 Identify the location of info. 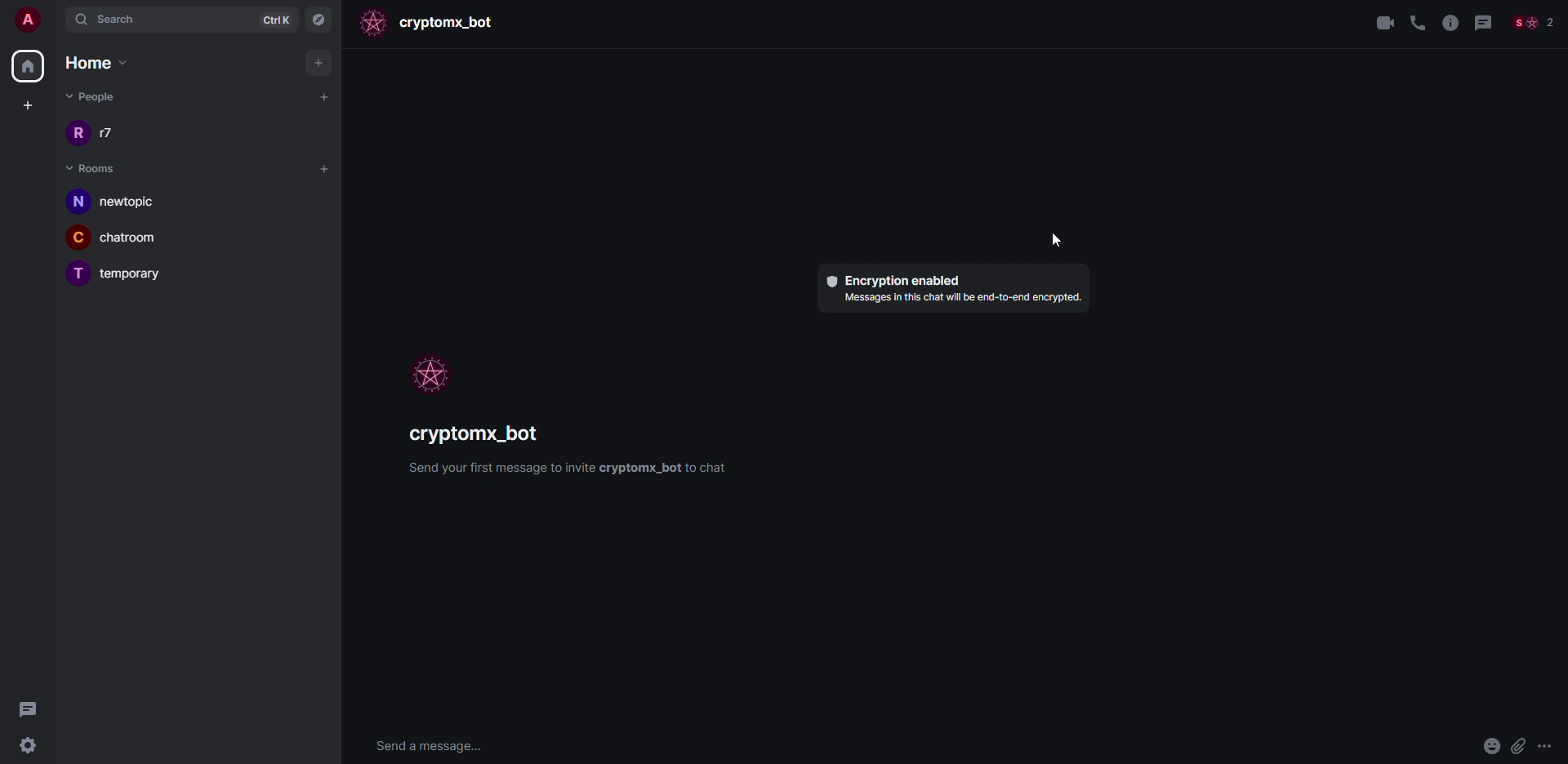
(1450, 23).